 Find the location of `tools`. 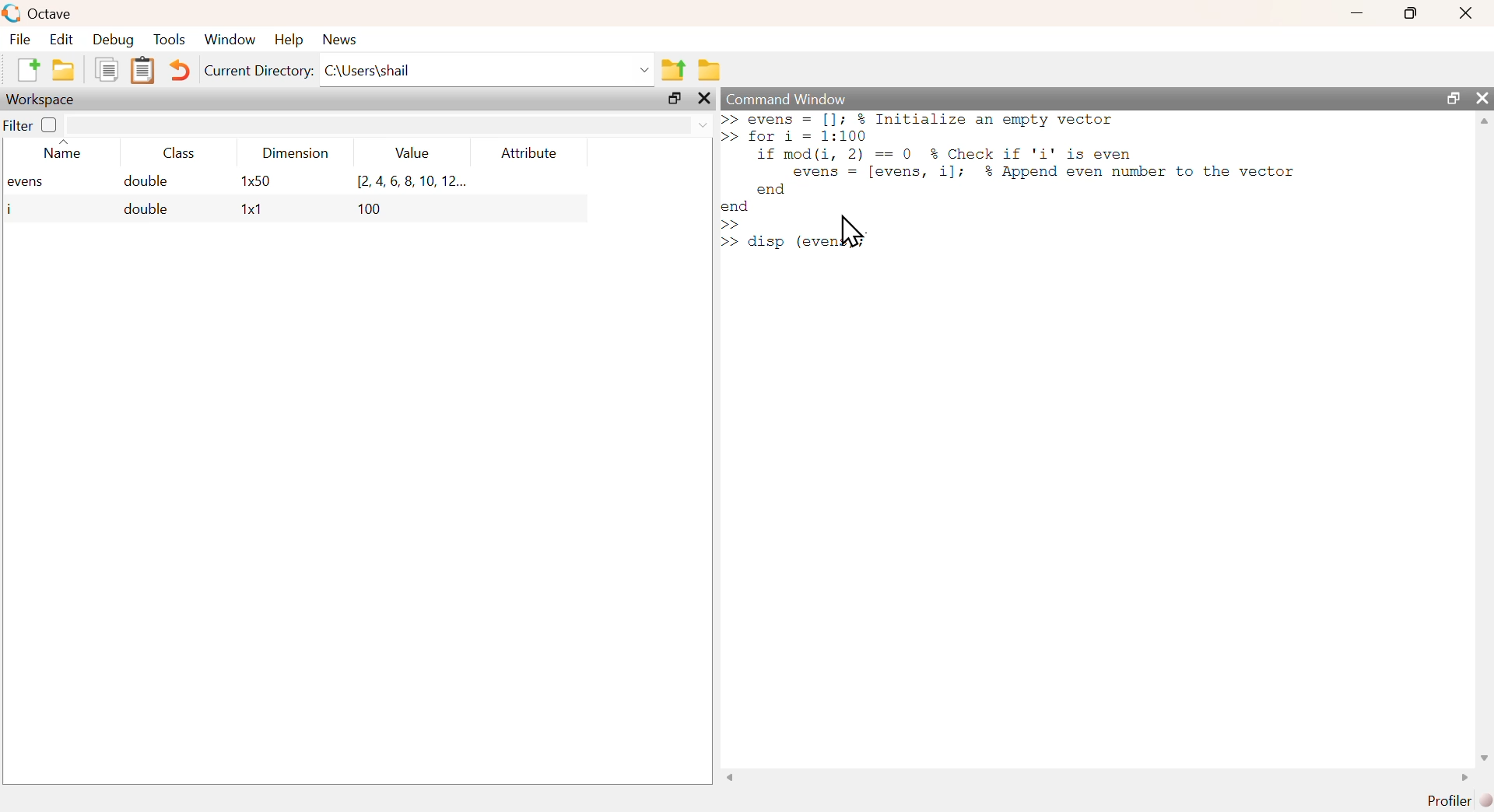

tools is located at coordinates (172, 38).